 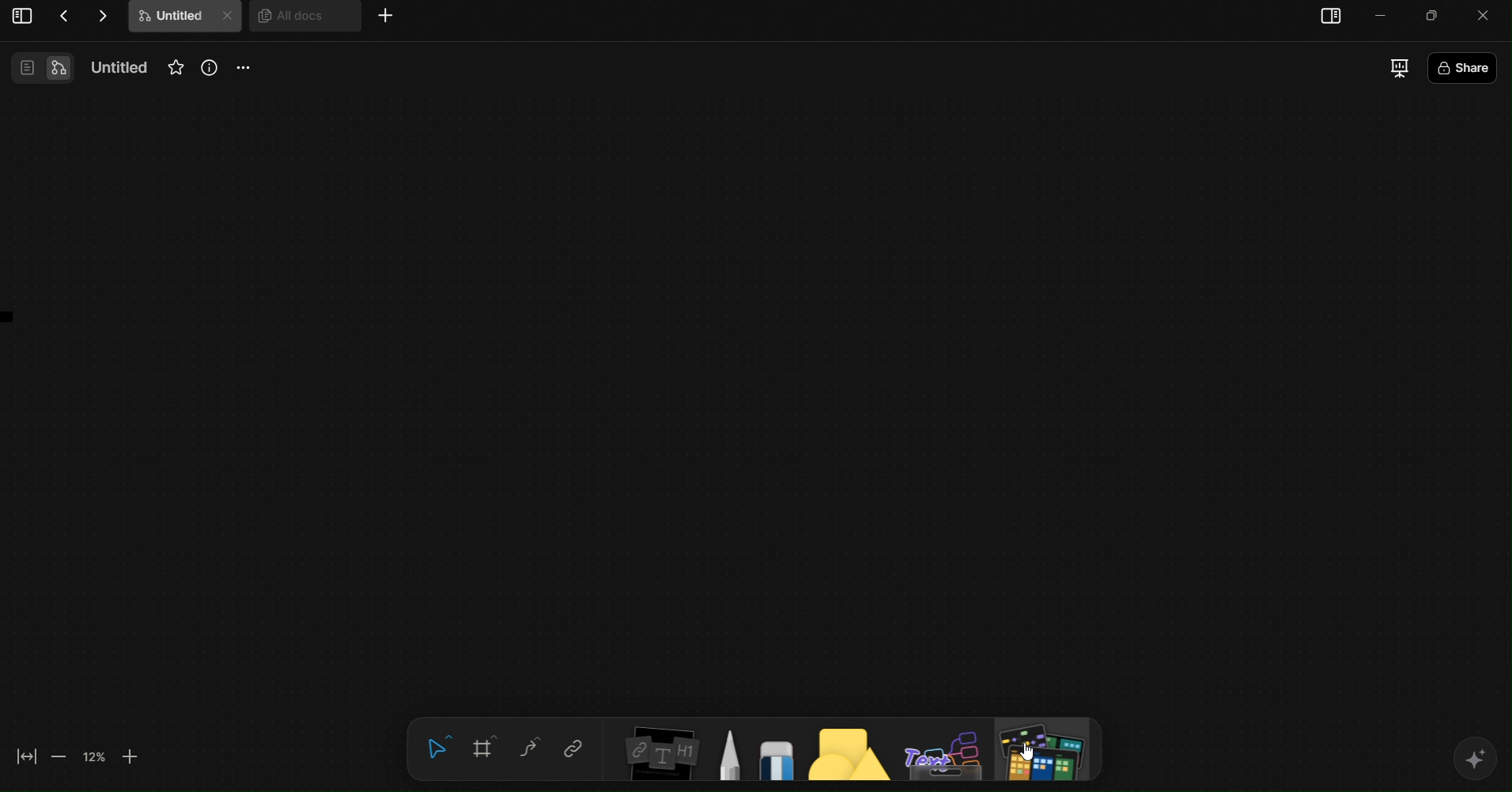 What do you see at coordinates (1384, 15) in the screenshot?
I see `minimize` at bounding box center [1384, 15].